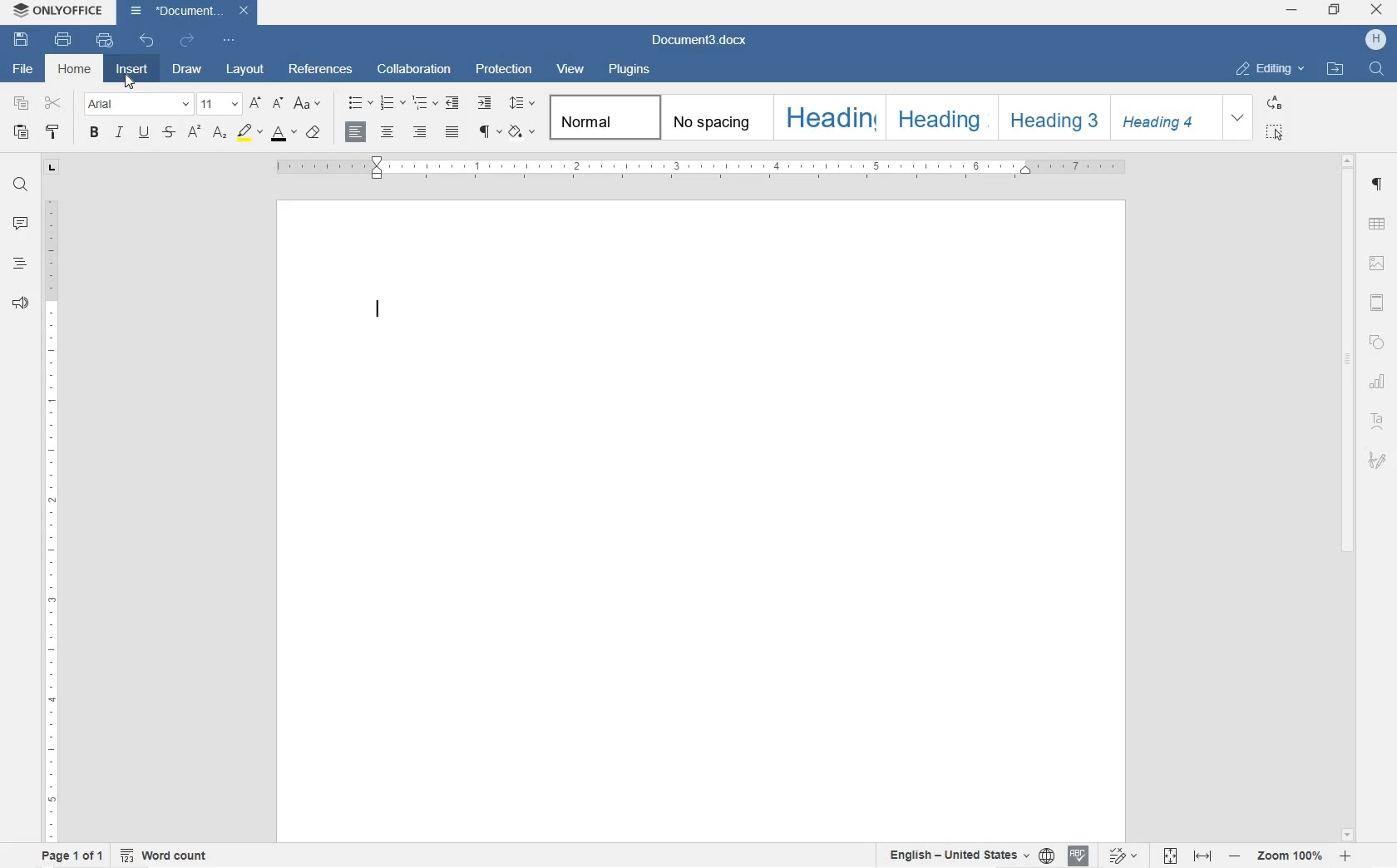 This screenshot has height=868, width=1397. I want to click on NONPRINTING CHARACTERS, so click(487, 131).